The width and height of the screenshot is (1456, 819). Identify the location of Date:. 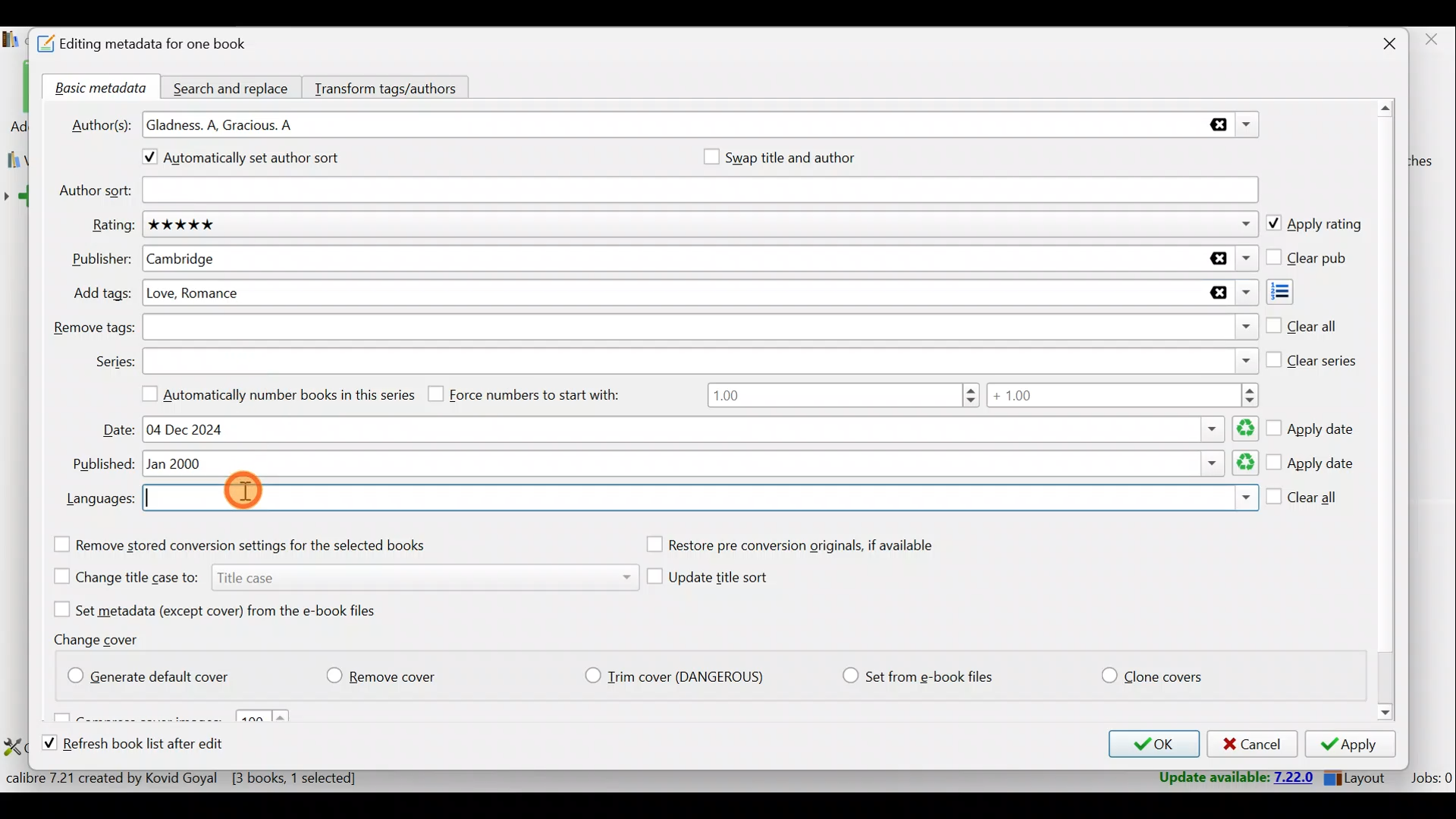
(119, 430).